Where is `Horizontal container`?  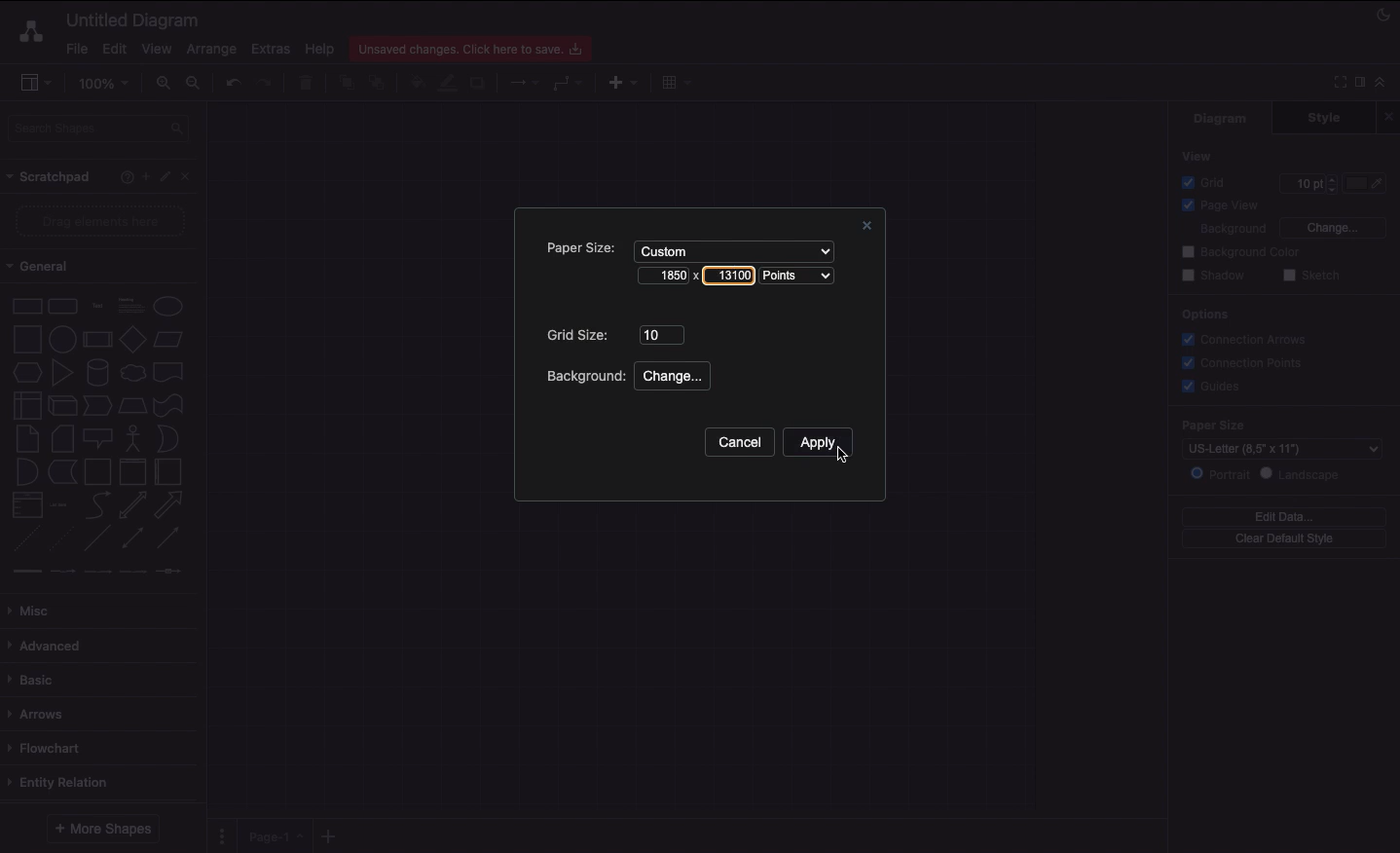
Horizontal container is located at coordinates (169, 471).